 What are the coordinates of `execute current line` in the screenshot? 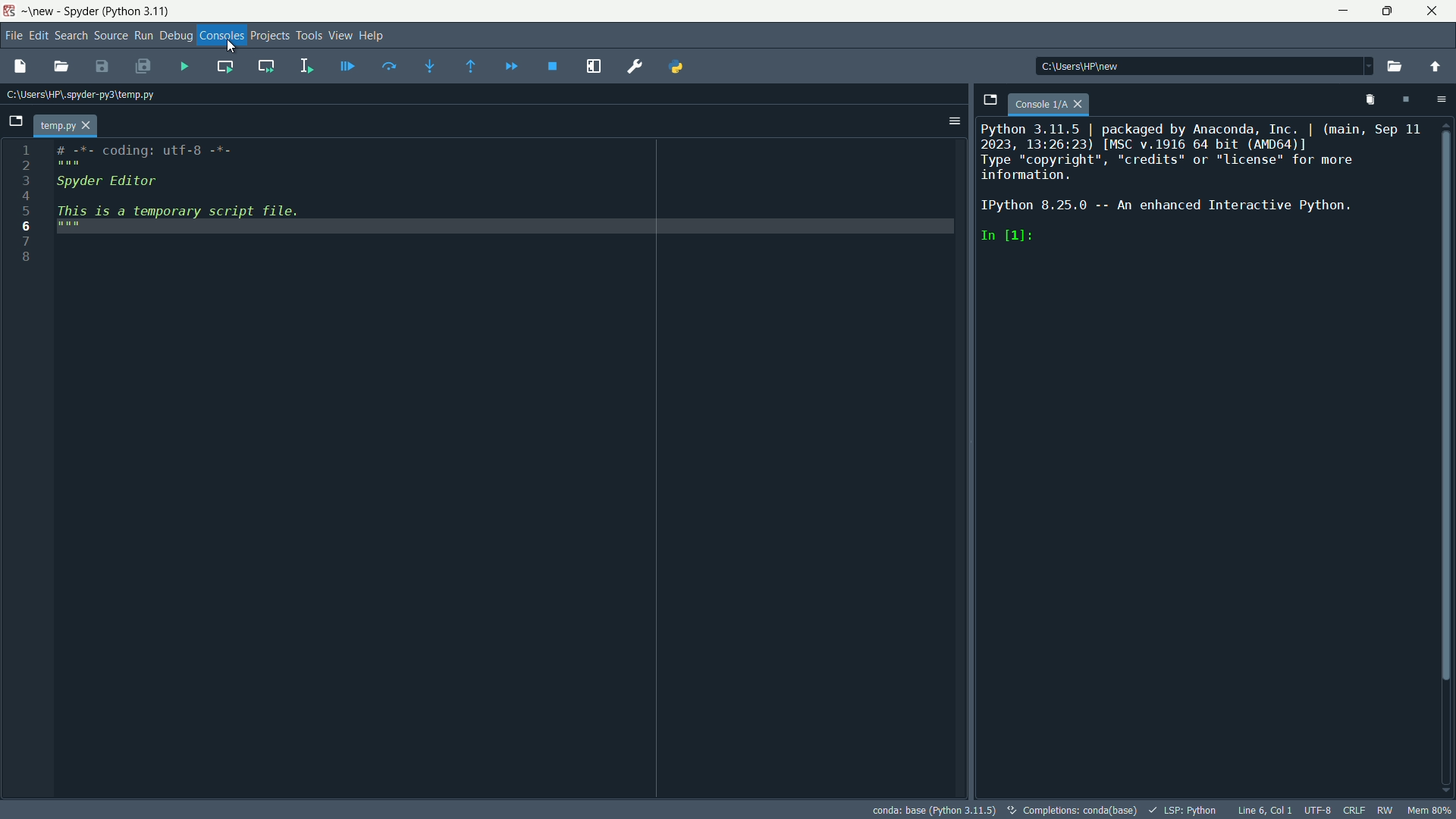 It's located at (393, 67).